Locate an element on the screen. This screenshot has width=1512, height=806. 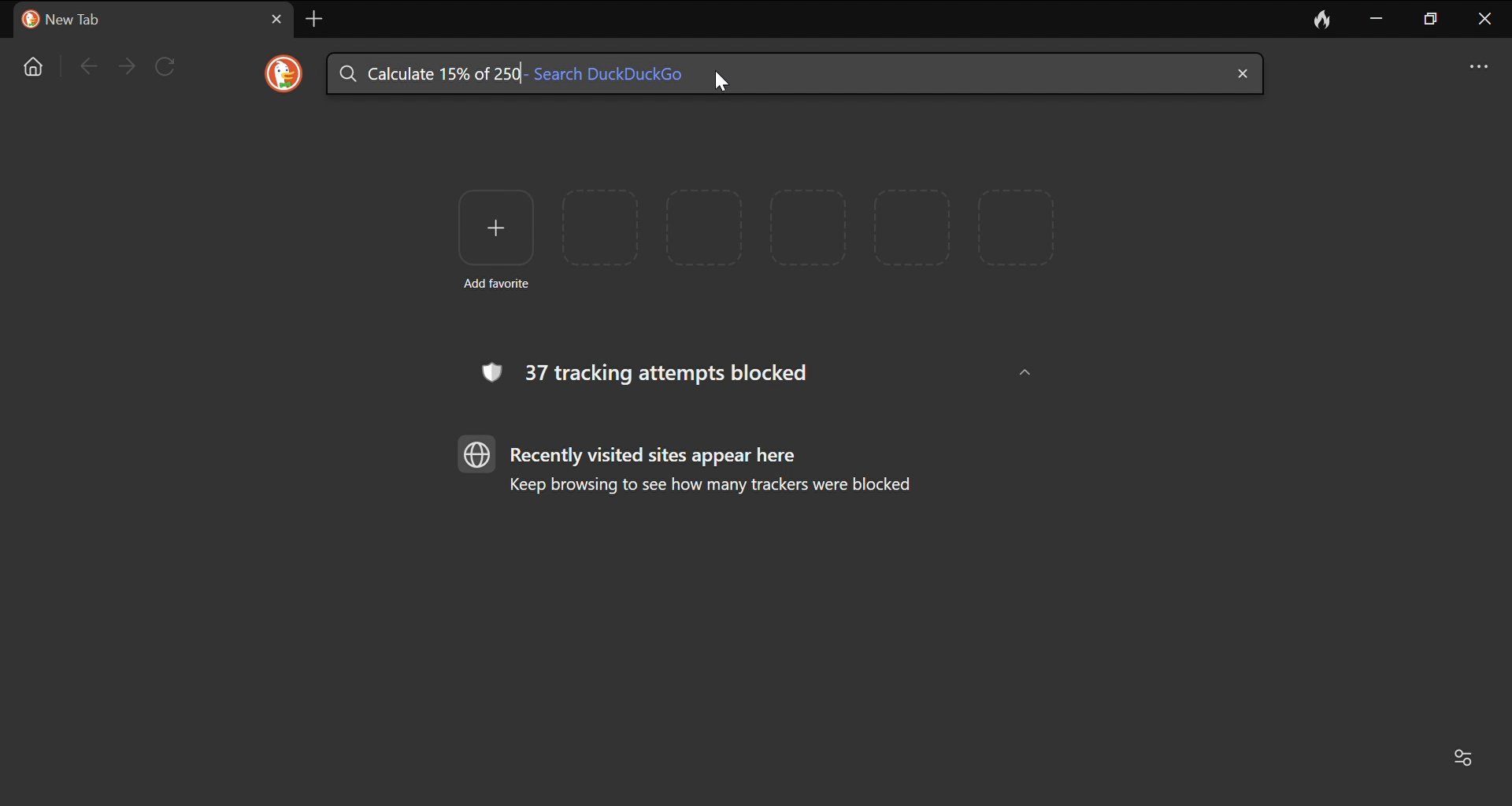
37 tracking attempts blocked is located at coordinates (650, 372).